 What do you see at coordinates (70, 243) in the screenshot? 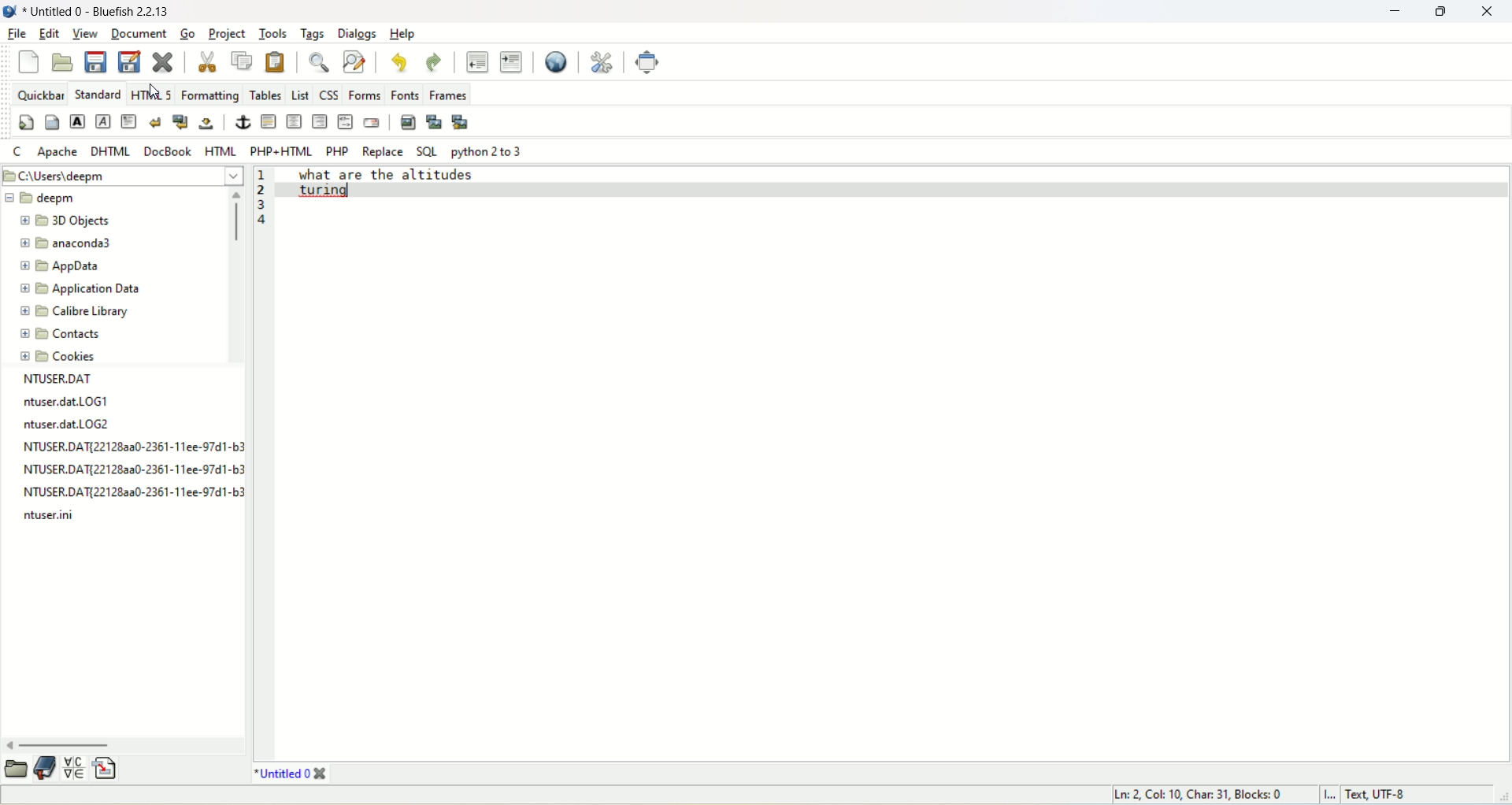
I see `anaconda` at bounding box center [70, 243].